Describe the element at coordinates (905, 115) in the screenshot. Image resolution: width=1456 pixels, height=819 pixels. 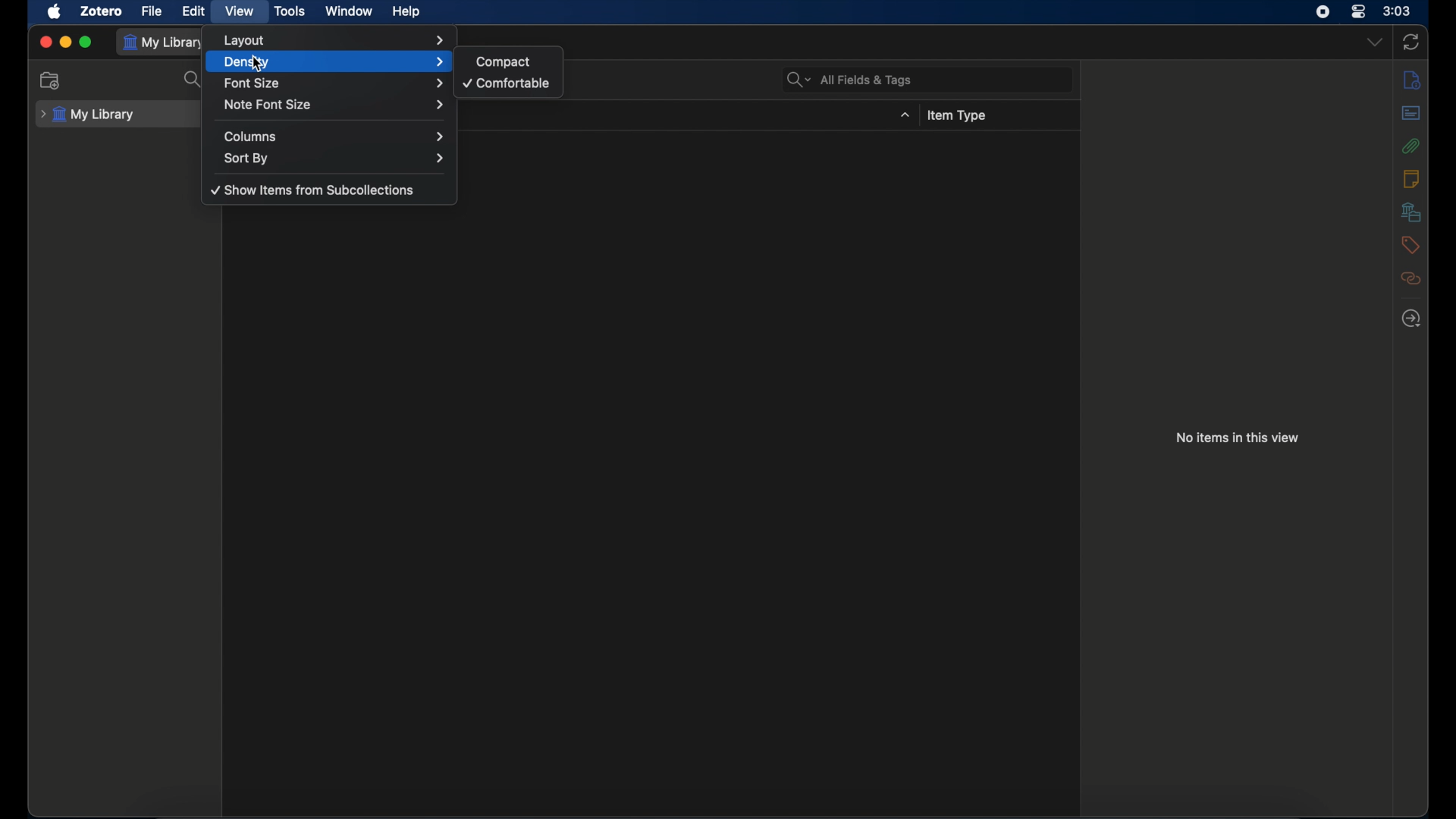
I see `dropdown` at that location.